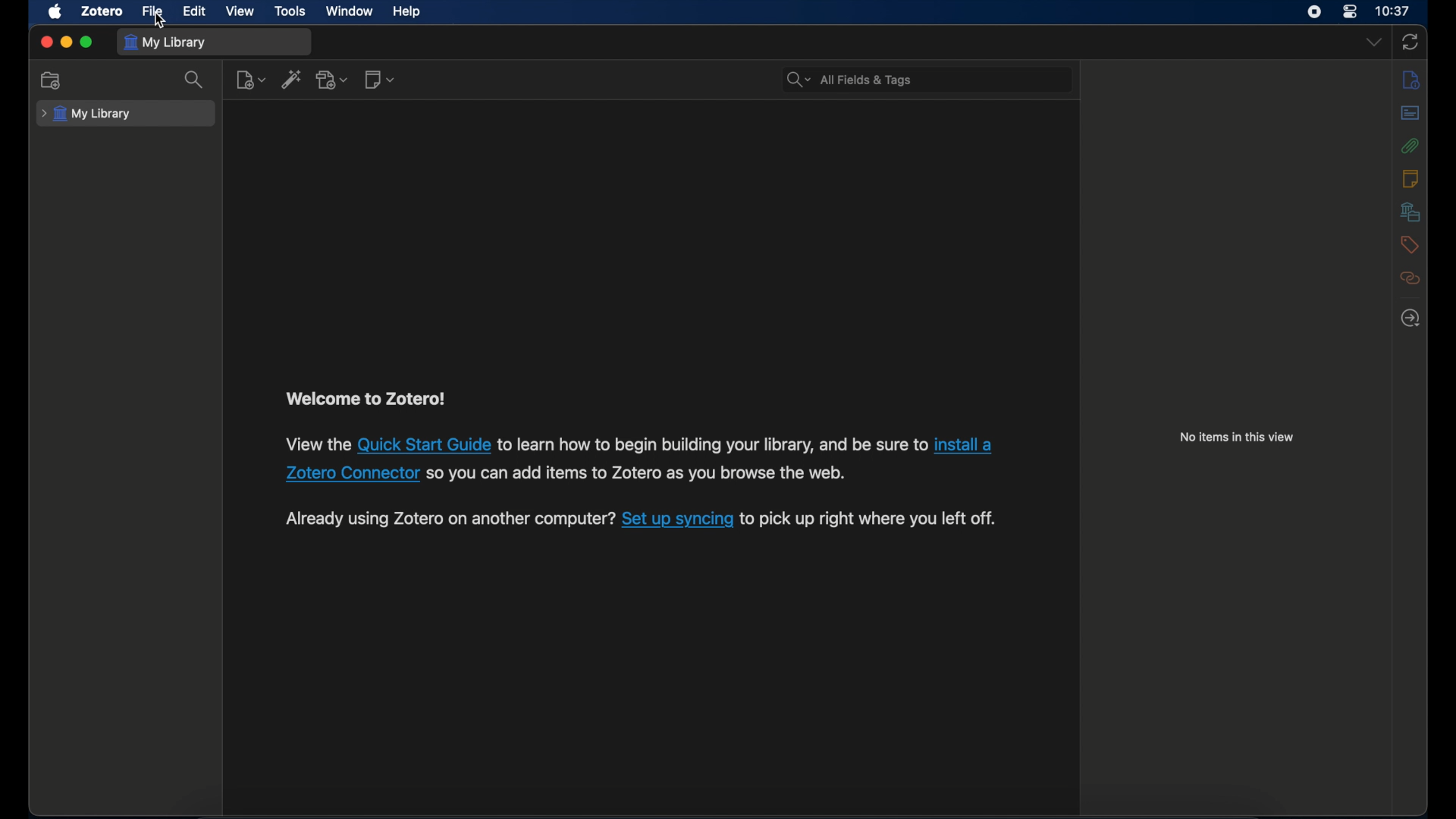  What do you see at coordinates (1410, 318) in the screenshot?
I see `late` at bounding box center [1410, 318].